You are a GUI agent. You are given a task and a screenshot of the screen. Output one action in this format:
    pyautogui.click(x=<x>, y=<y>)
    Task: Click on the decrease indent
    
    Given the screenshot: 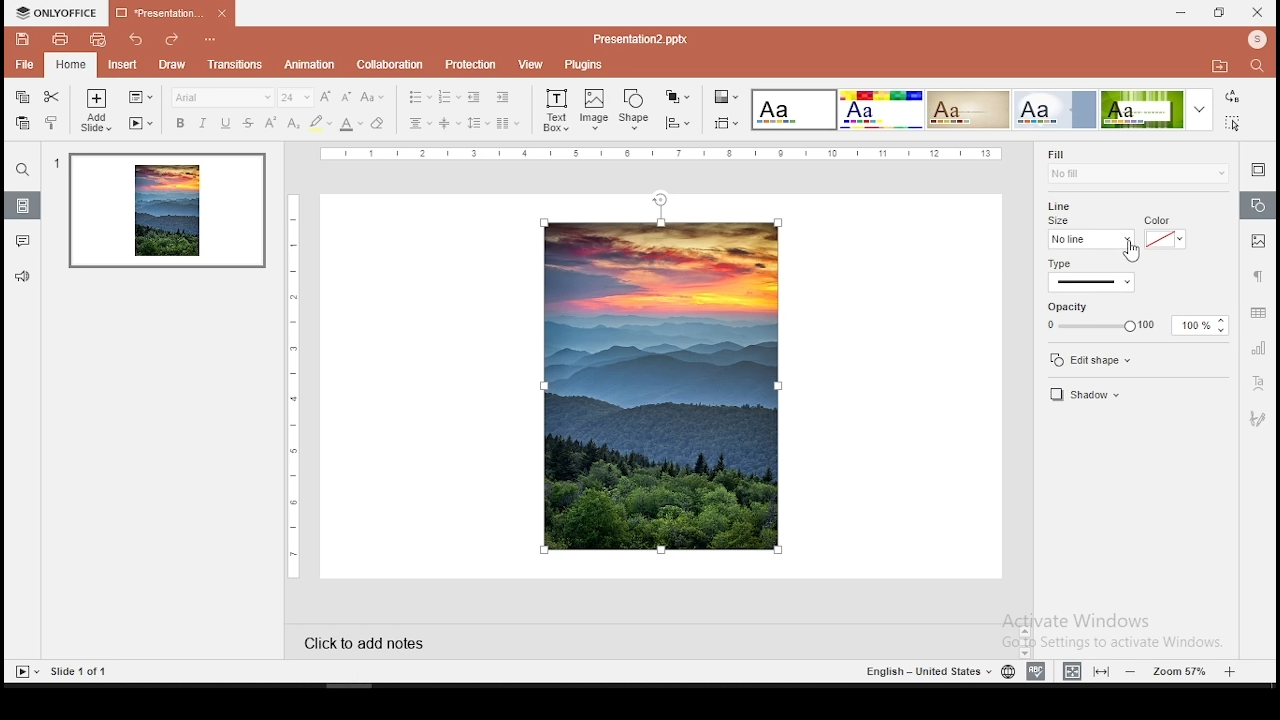 What is the action you would take?
    pyautogui.click(x=474, y=97)
    